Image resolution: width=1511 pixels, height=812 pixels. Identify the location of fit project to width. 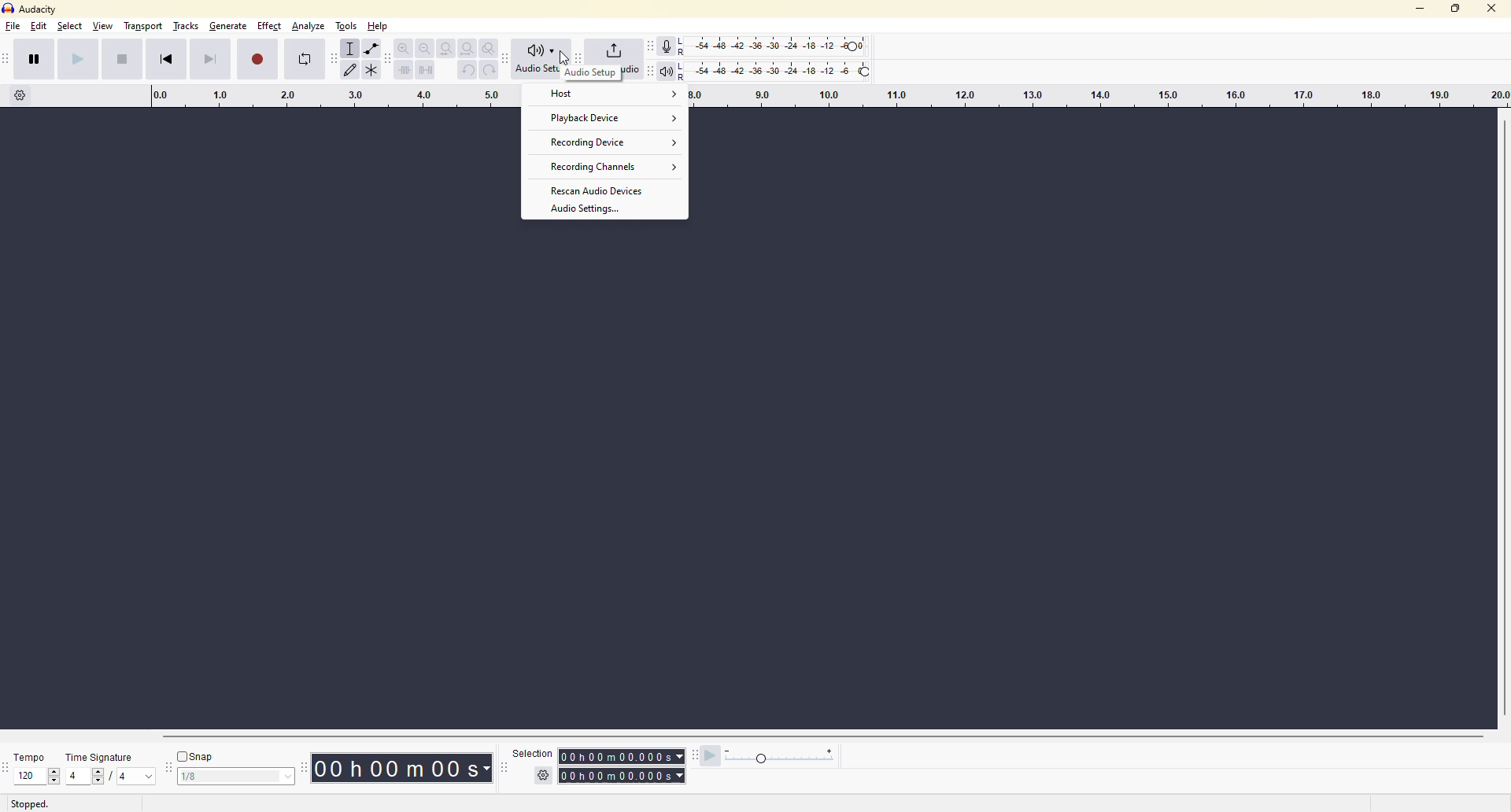
(467, 49).